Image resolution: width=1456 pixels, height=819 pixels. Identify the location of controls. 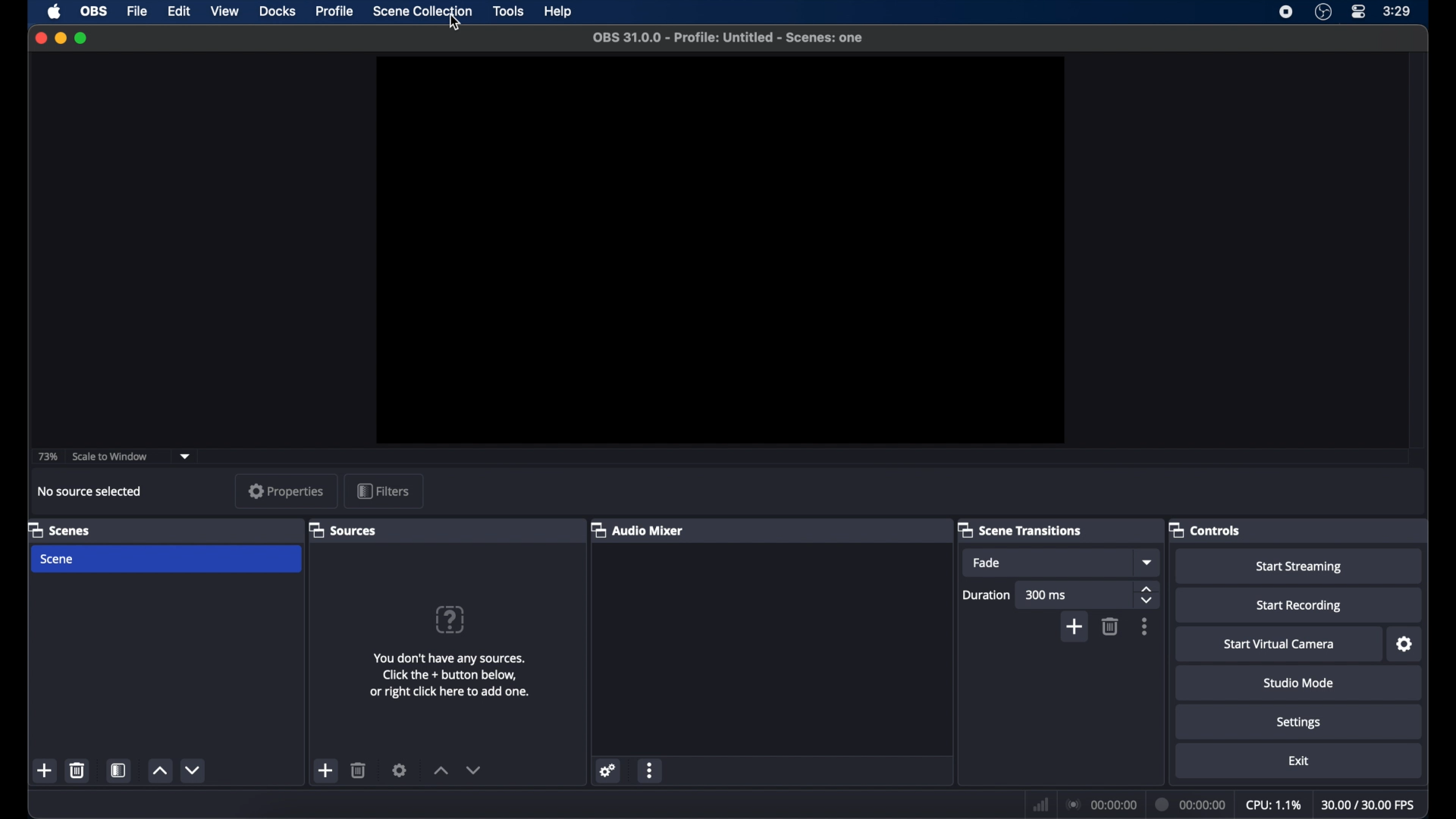
(1206, 529).